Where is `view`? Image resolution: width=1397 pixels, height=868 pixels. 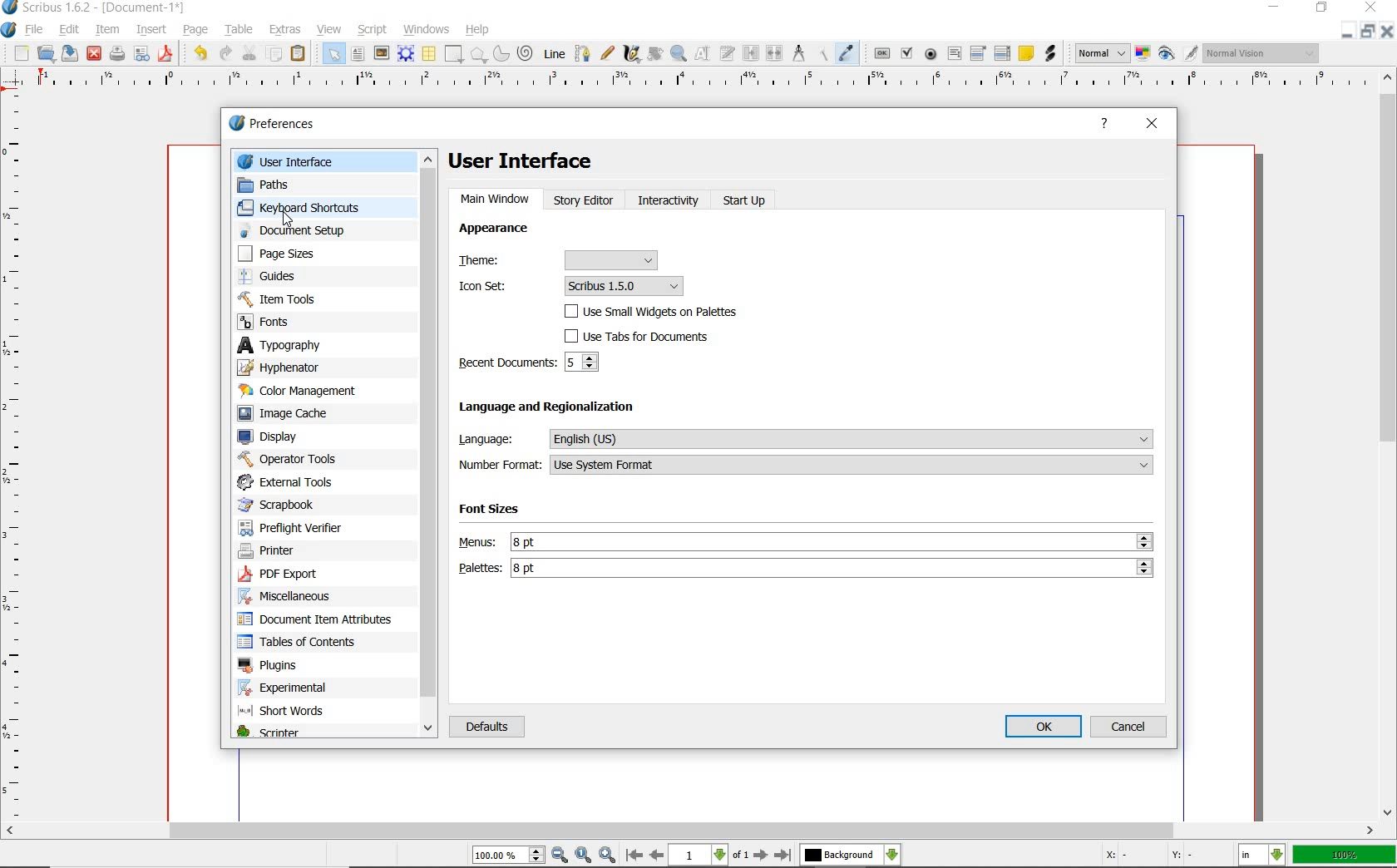 view is located at coordinates (330, 30).